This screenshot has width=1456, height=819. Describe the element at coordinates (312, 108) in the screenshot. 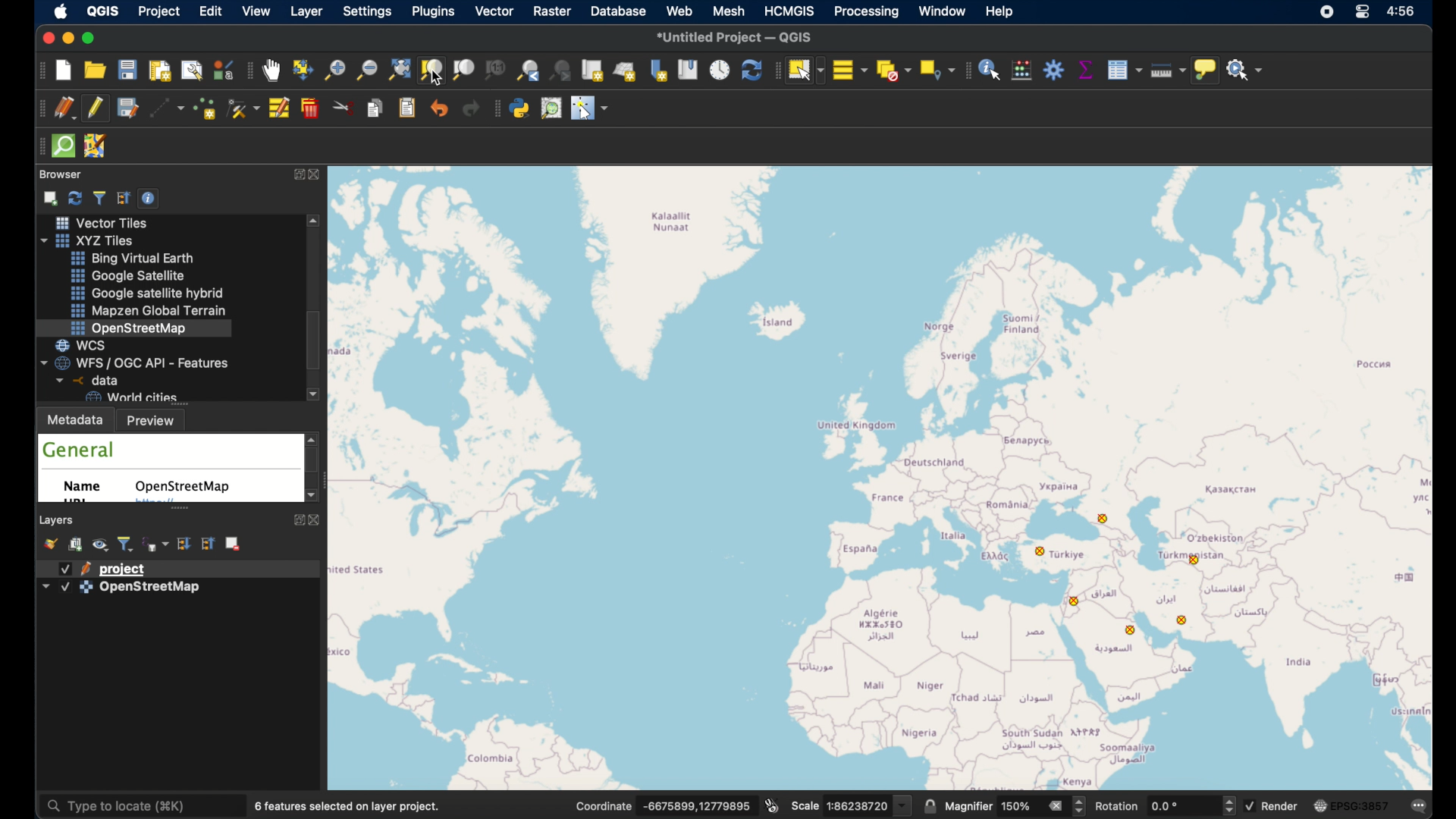

I see `delete selected` at that location.